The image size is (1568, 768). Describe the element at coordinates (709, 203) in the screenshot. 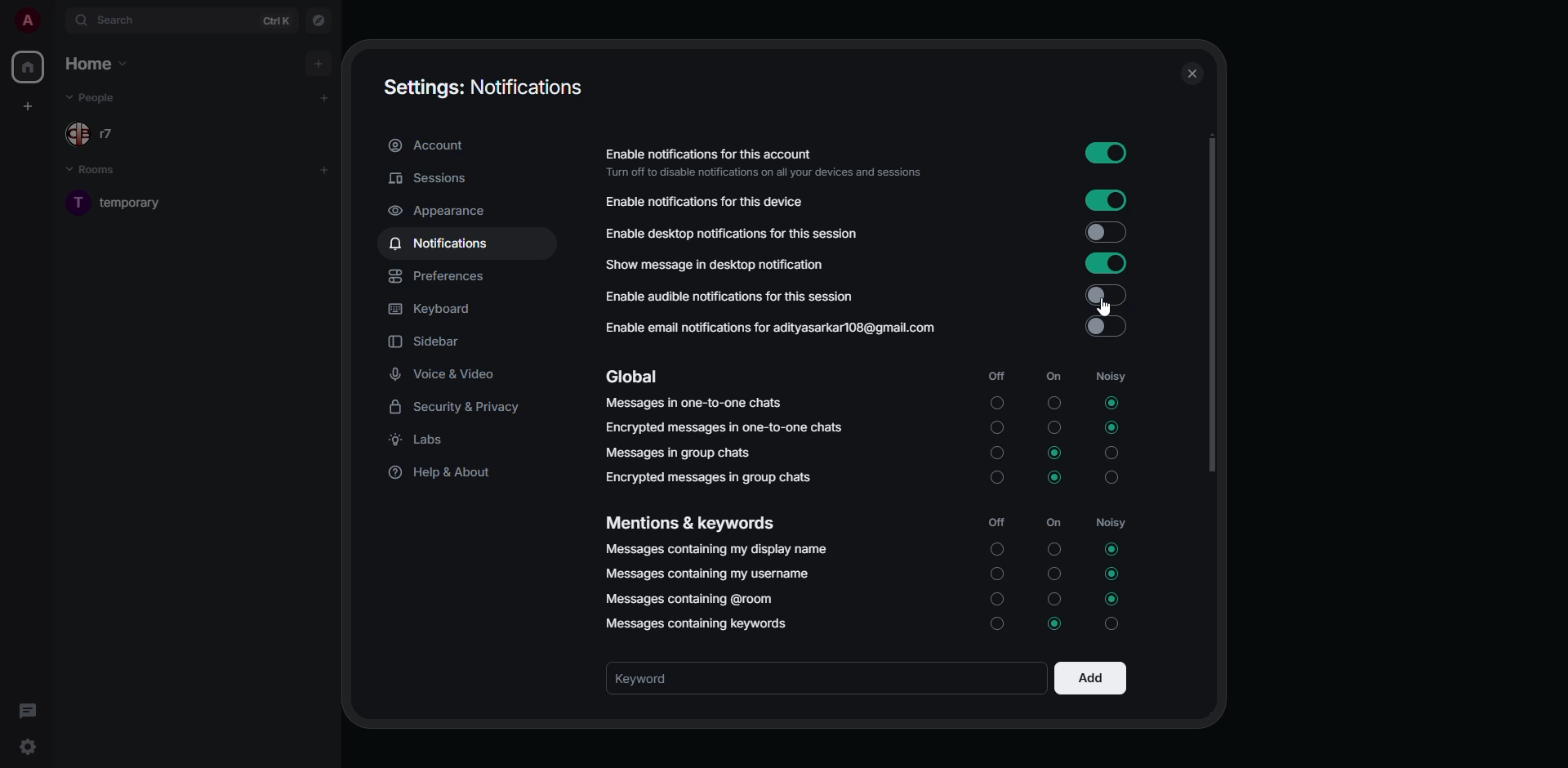

I see `enable notifications for this device` at that location.